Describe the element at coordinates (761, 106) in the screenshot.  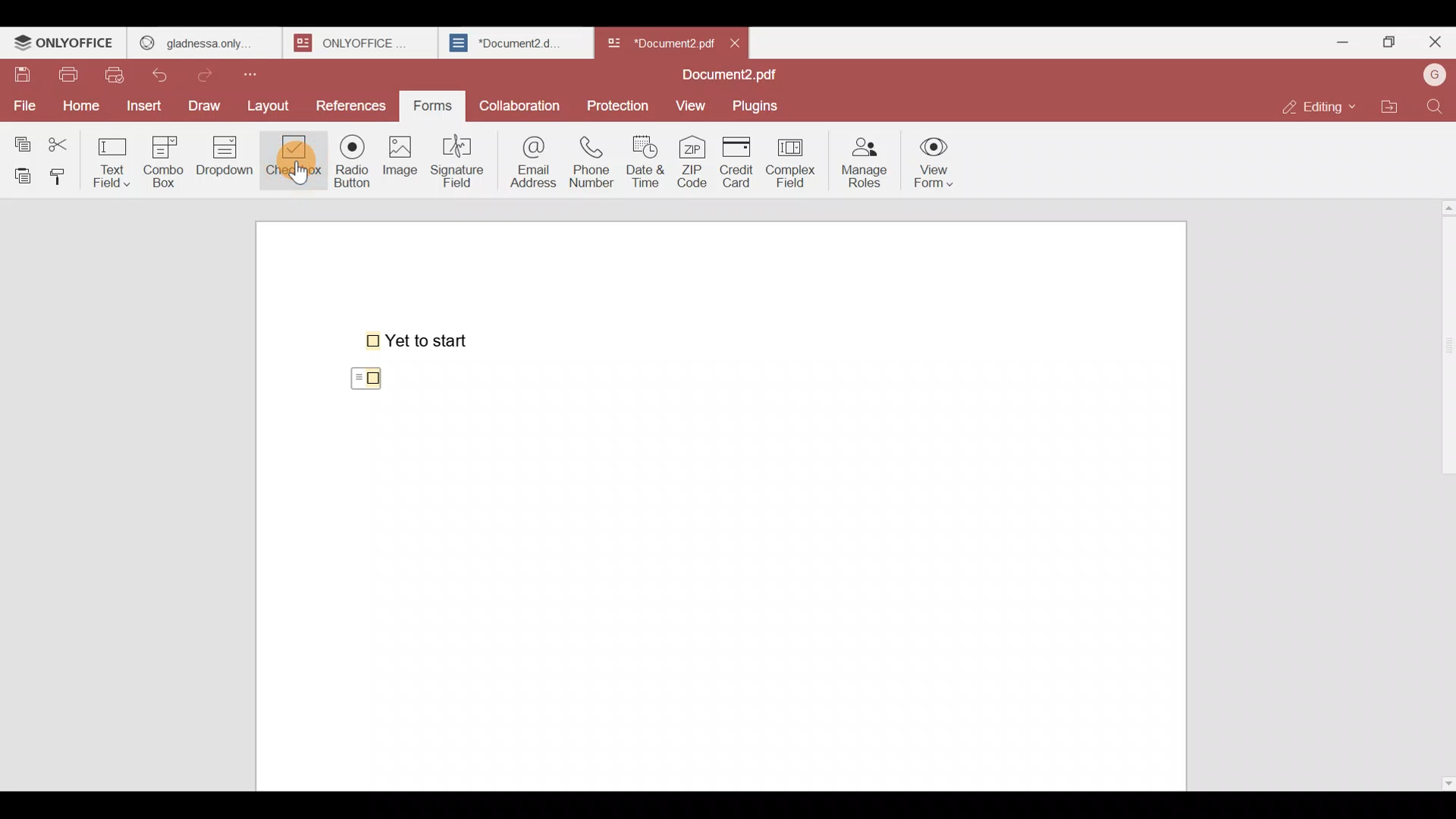
I see `Plugins` at that location.